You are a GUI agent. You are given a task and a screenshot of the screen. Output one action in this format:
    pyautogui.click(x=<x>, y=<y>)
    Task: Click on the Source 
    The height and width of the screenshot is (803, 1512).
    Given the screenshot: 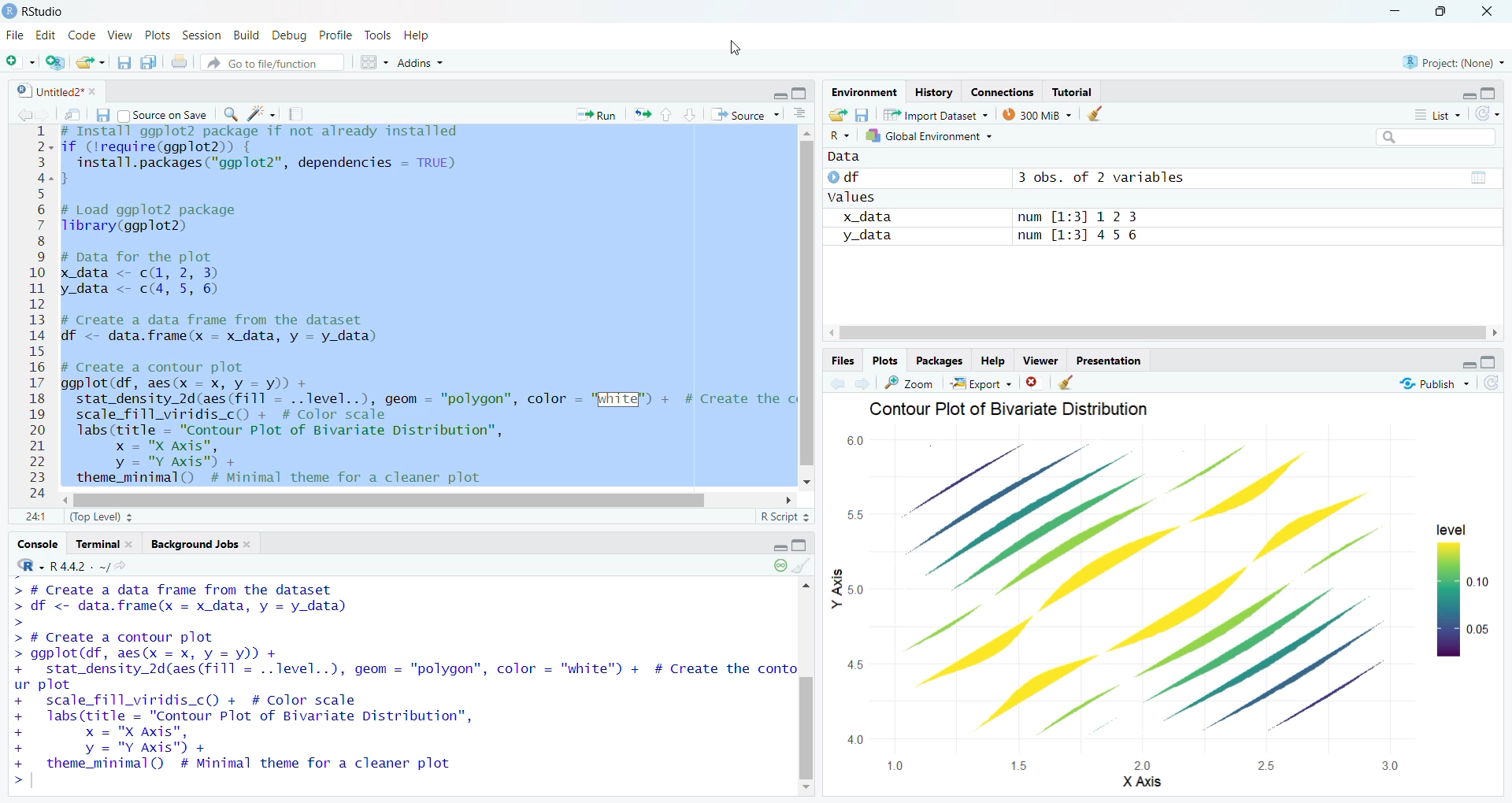 What is the action you would take?
    pyautogui.click(x=745, y=116)
    